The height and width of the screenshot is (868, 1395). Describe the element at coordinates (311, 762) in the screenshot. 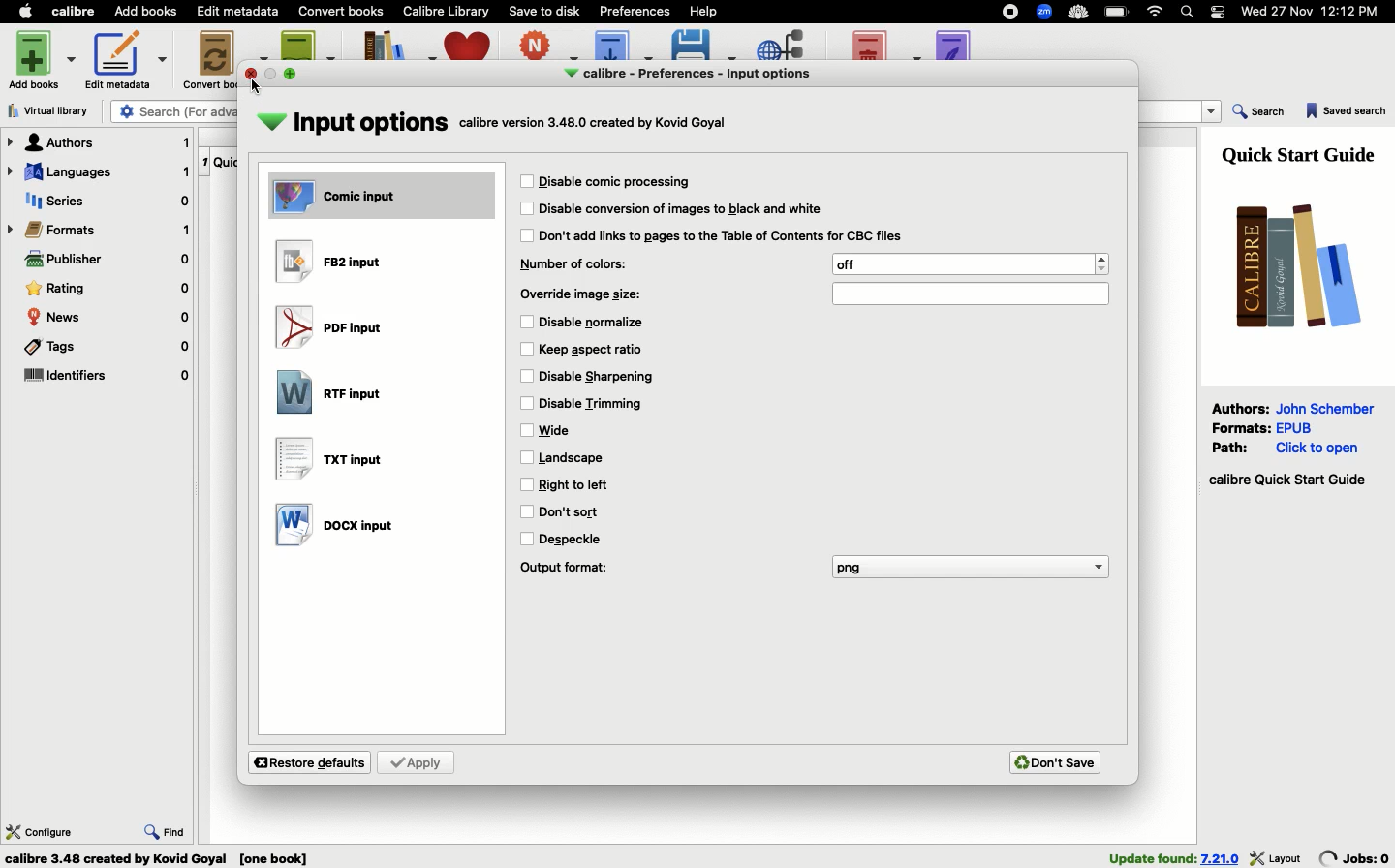

I see `Restore defaults` at that location.